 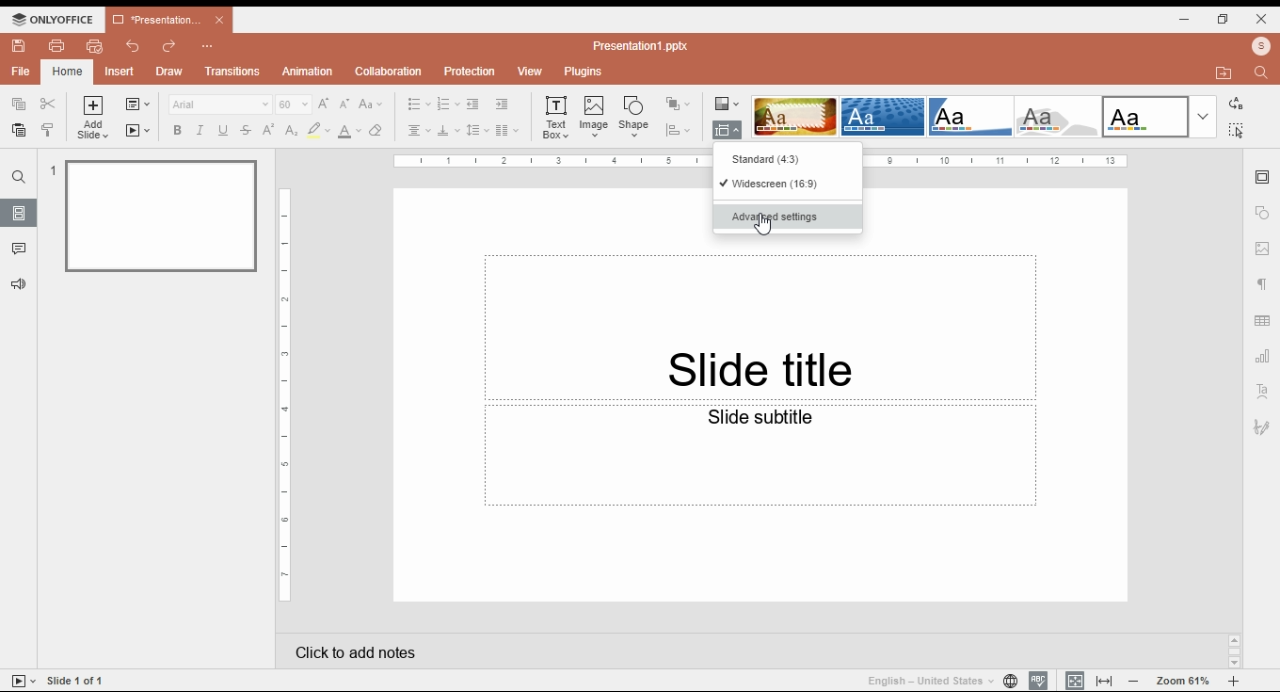 What do you see at coordinates (232, 71) in the screenshot?
I see `transitions` at bounding box center [232, 71].